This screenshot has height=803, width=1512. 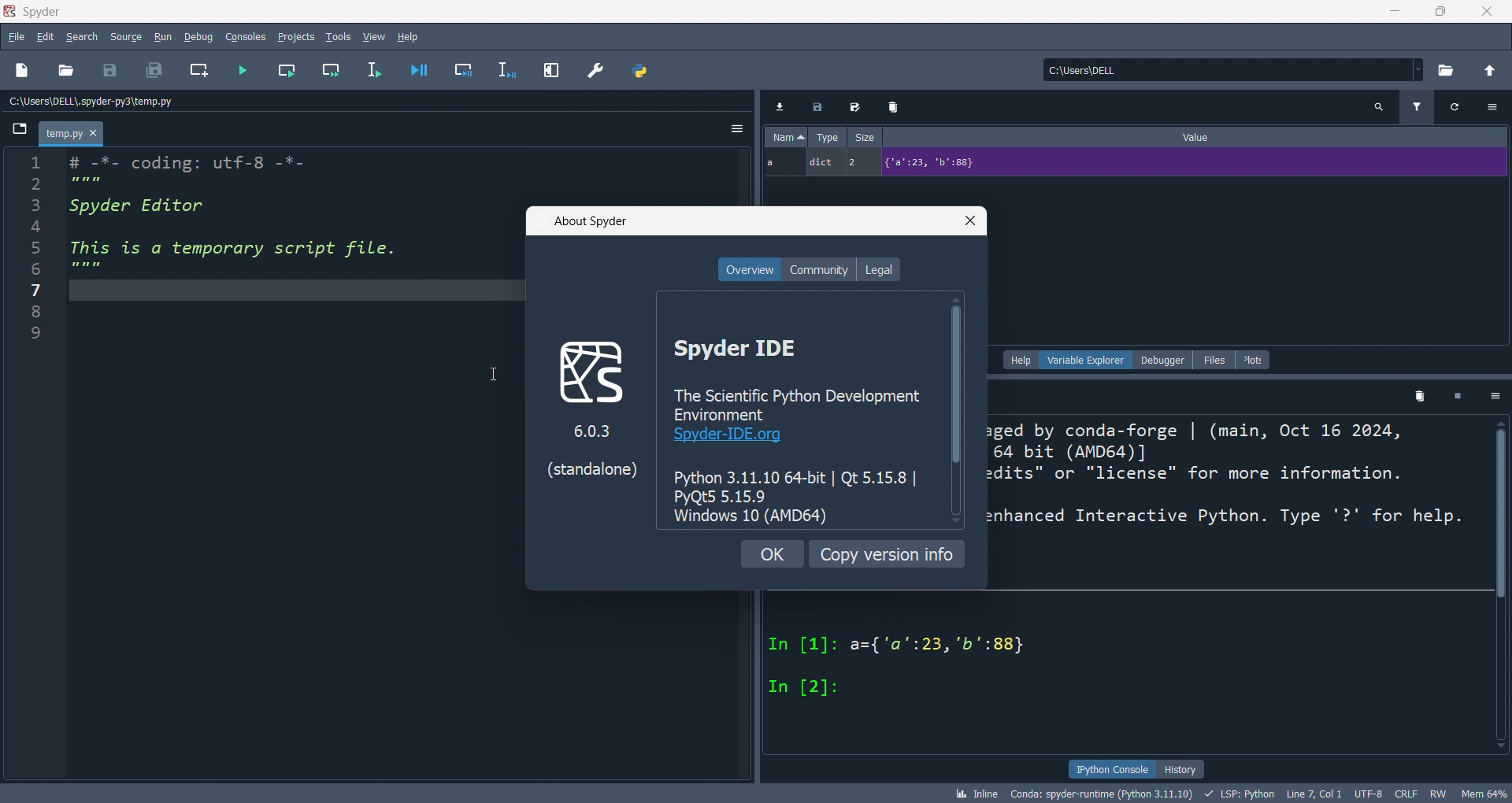 I want to click on debug file, so click(x=420, y=69).